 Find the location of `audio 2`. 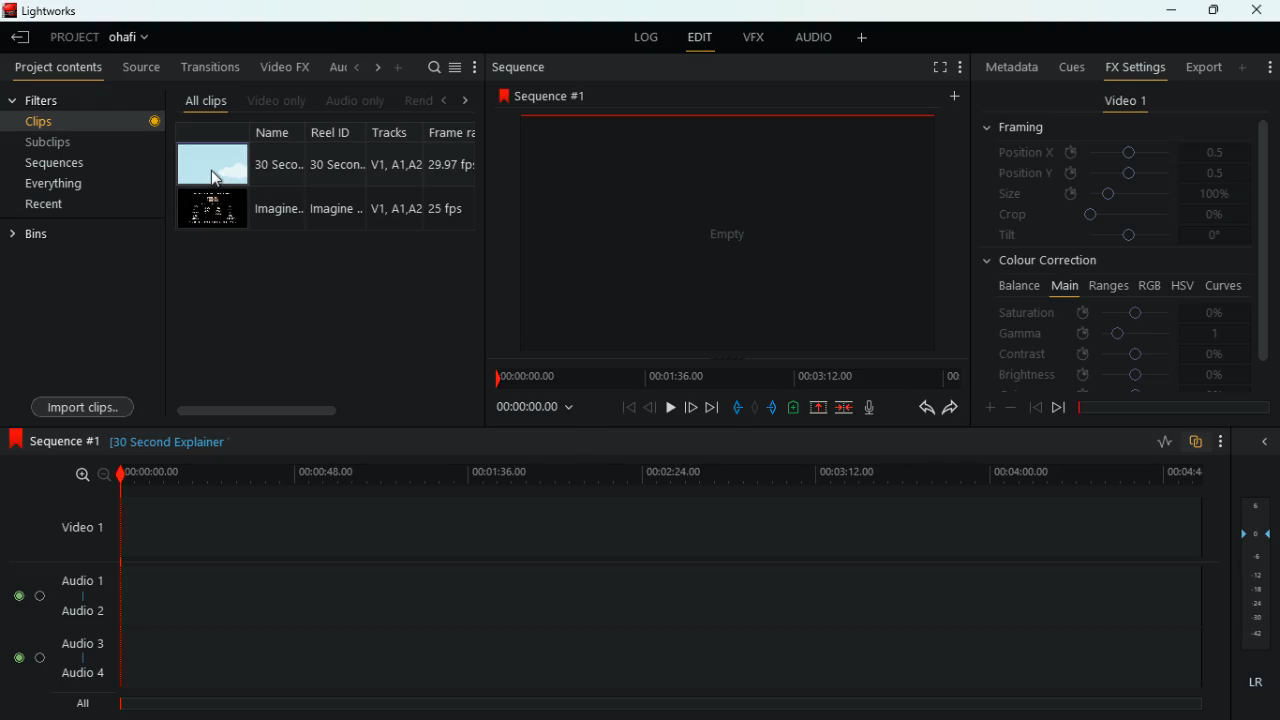

audio 2 is located at coordinates (81, 610).